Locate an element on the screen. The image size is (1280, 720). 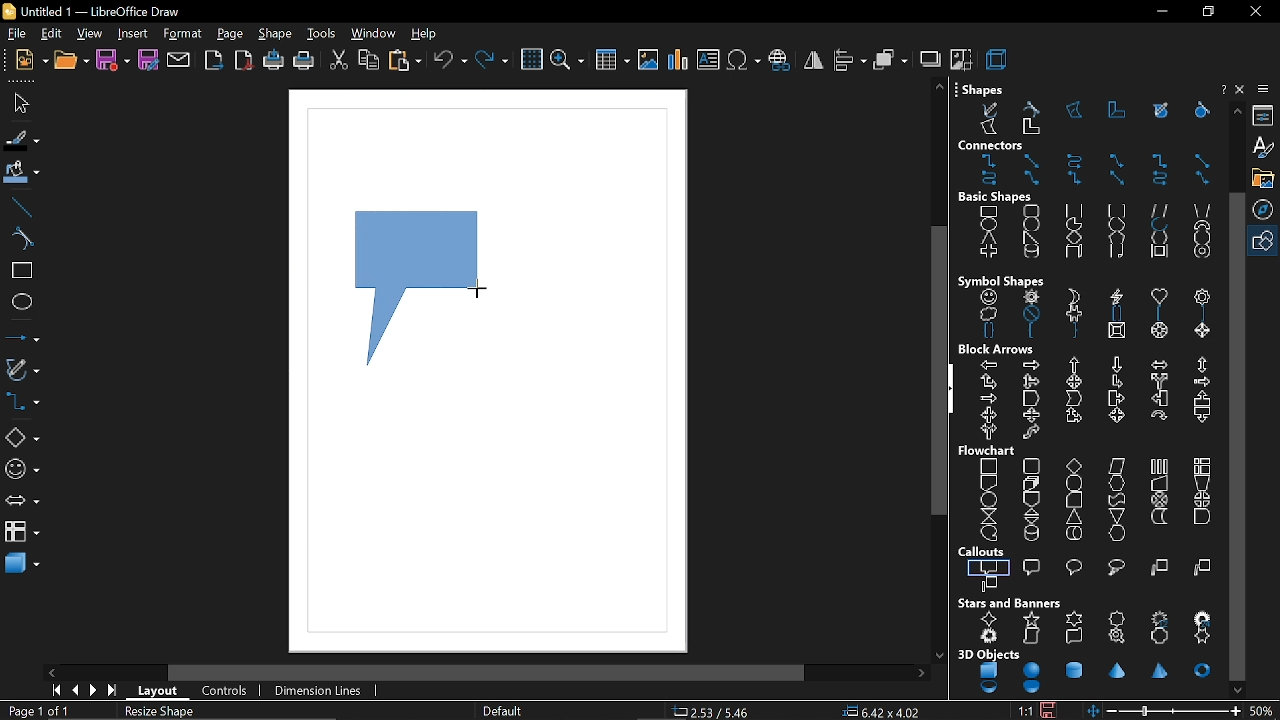
flowchart is located at coordinates (22, 532).